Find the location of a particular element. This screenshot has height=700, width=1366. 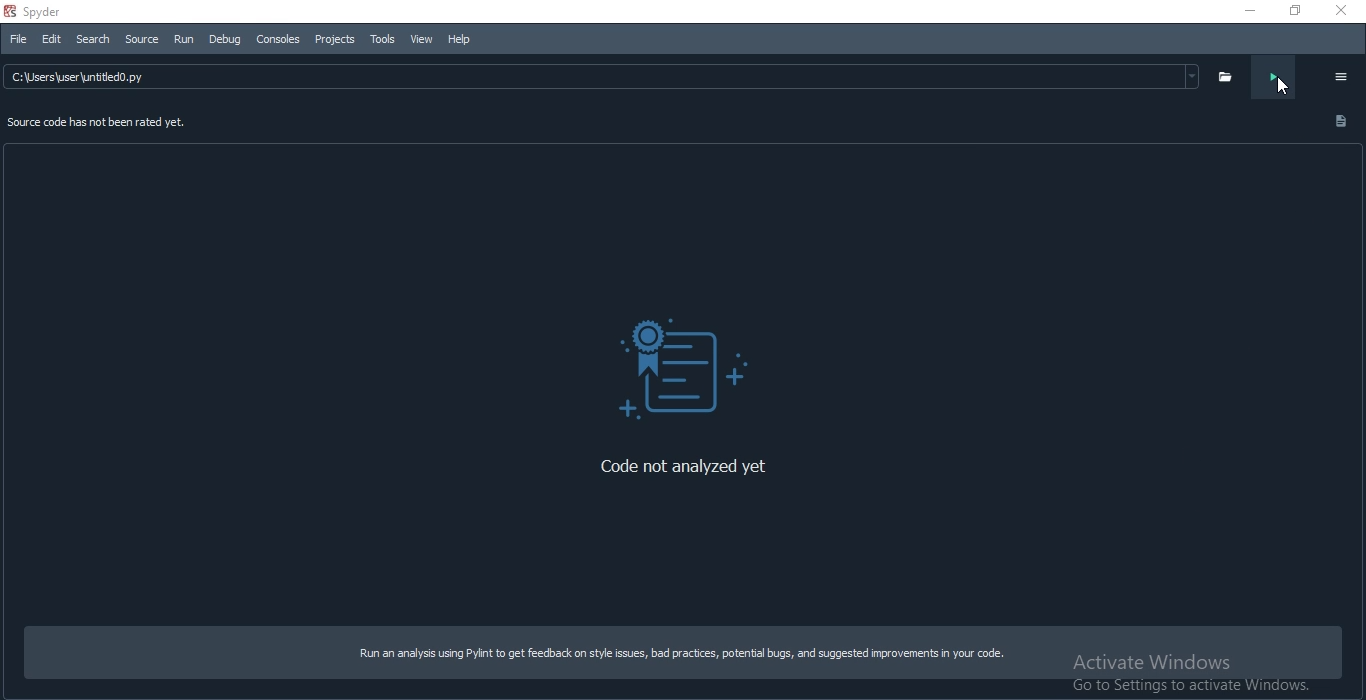

logo is located at coordinates (689, 374).